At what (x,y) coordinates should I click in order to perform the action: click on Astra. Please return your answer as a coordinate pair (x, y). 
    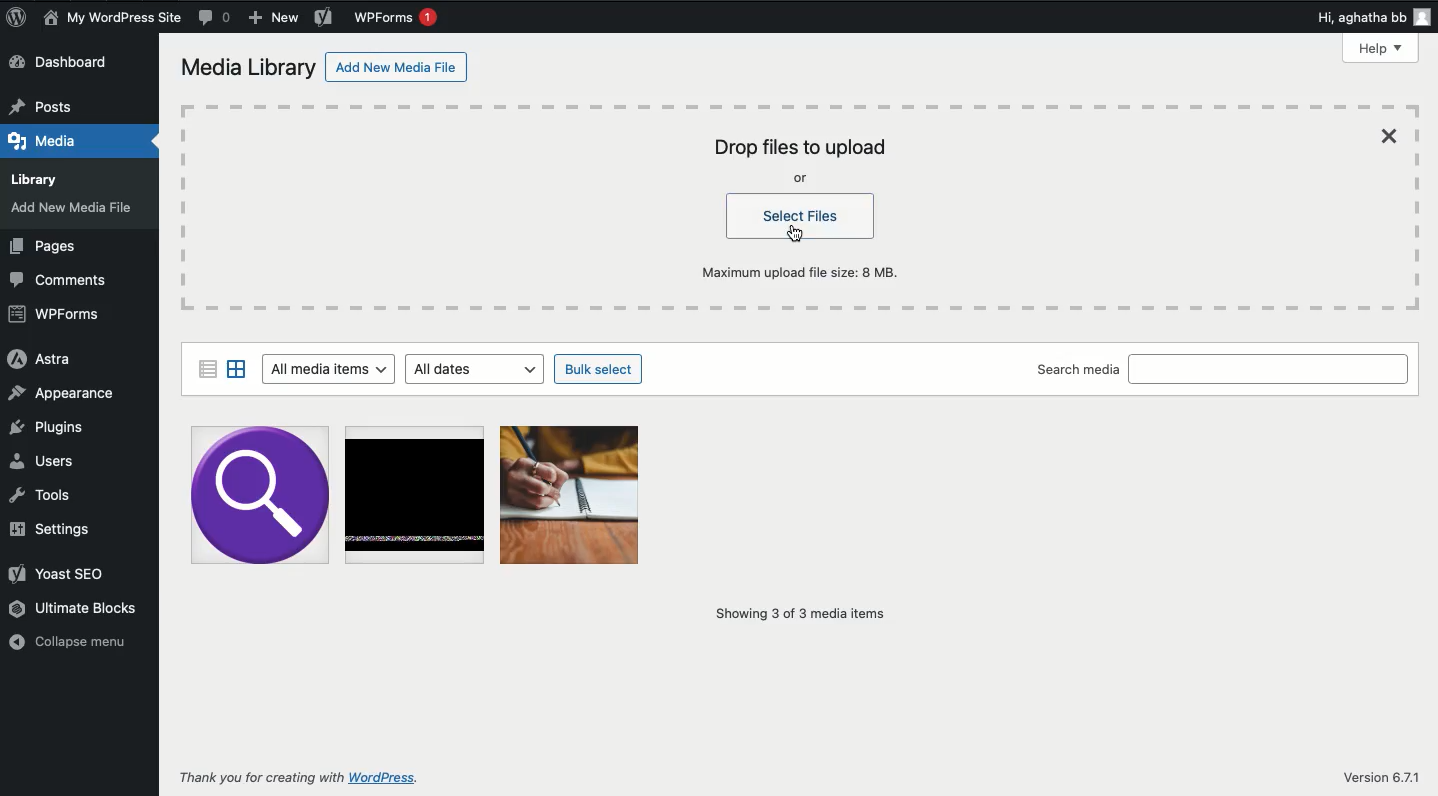
    Looking at the image, I should click on (38, 359).